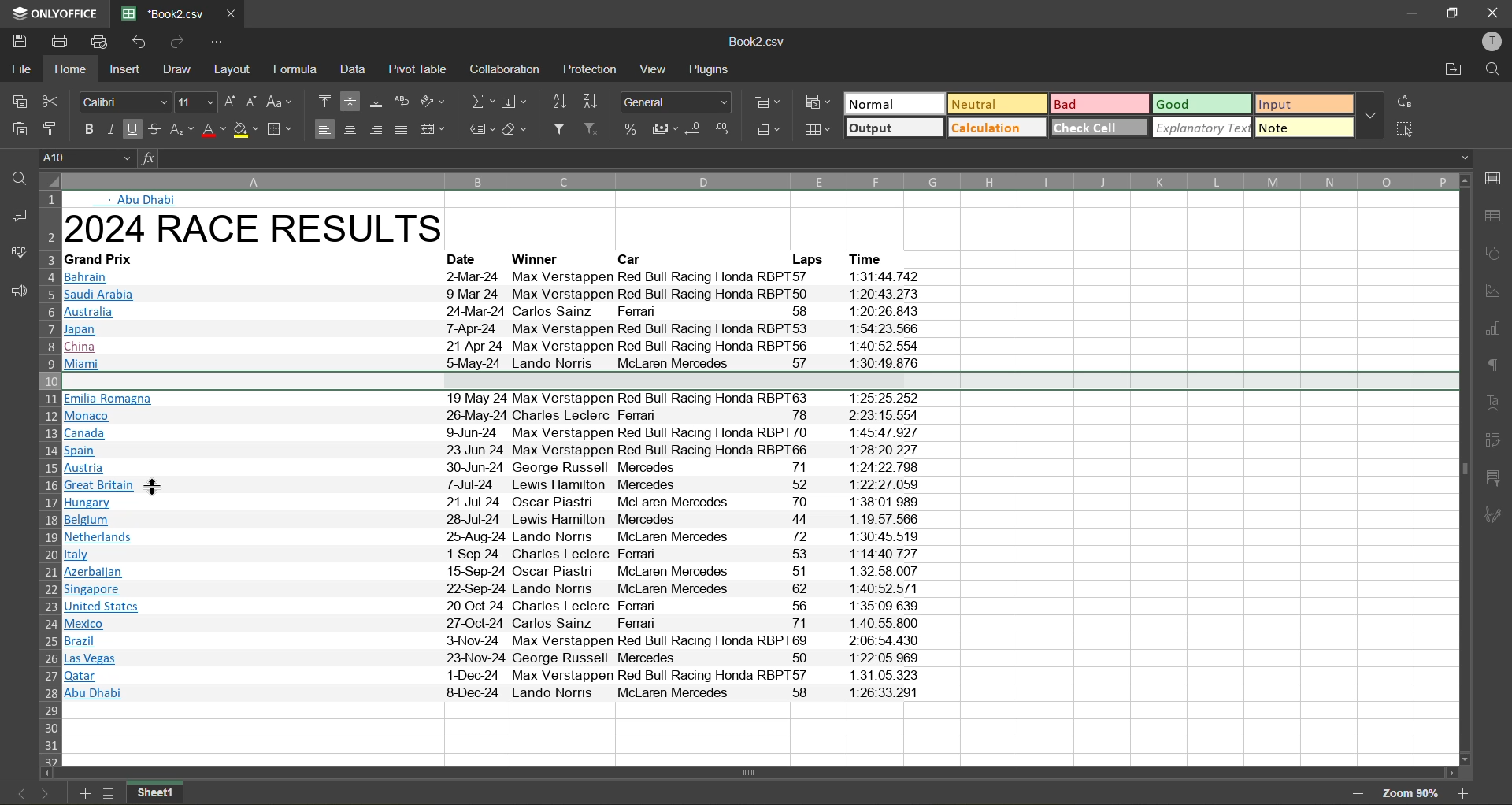  What do you see at coordinates (492, 696) in the screenshot?
I see `Abu Dhabi 8-Dec-24 Lando Norris McLaren Mercedes 58 1:26:33.291` at bounding box center [492, 696].